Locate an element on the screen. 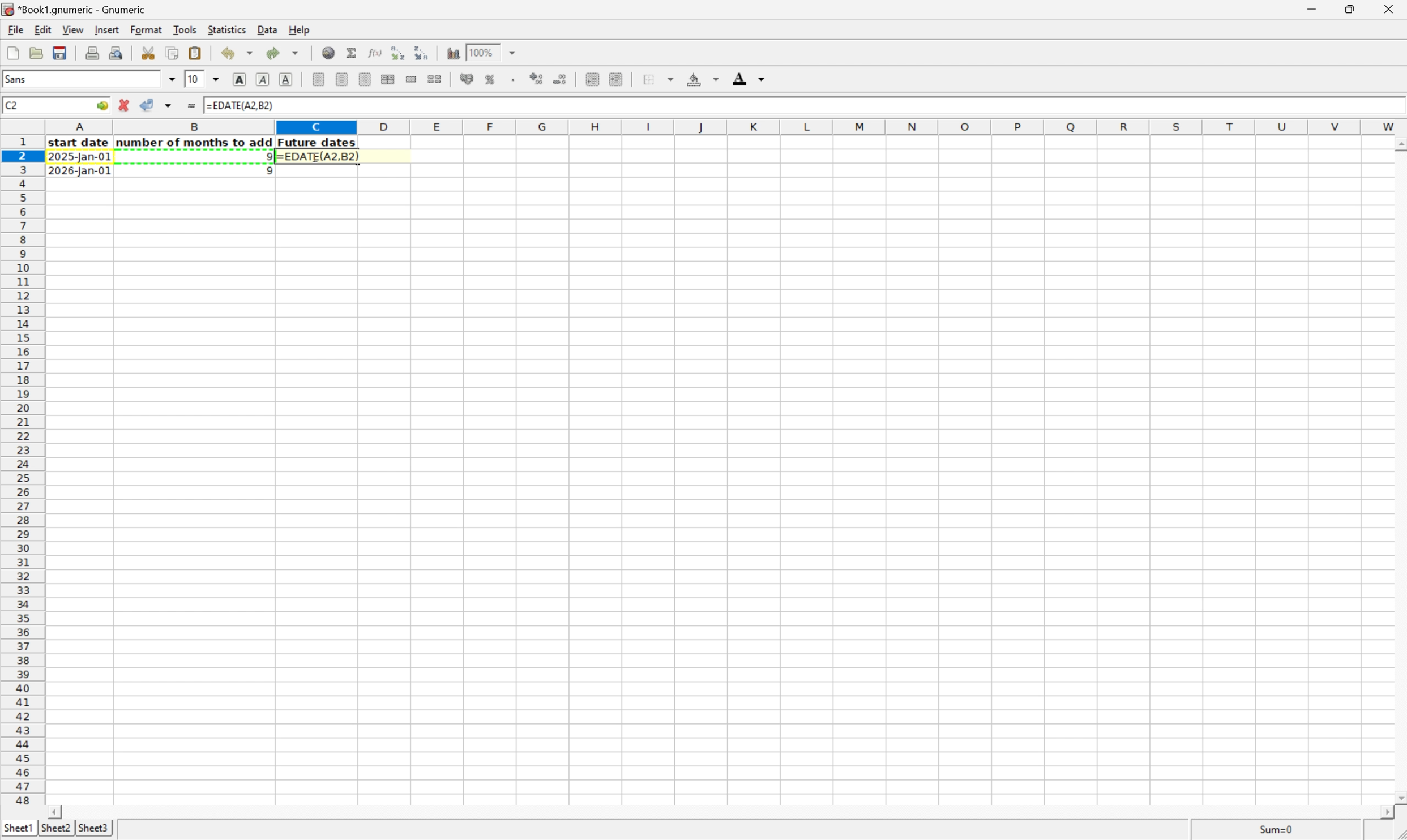 This screenshot has width=1407, height=840. Print preview is located at coordinates (116, 52).